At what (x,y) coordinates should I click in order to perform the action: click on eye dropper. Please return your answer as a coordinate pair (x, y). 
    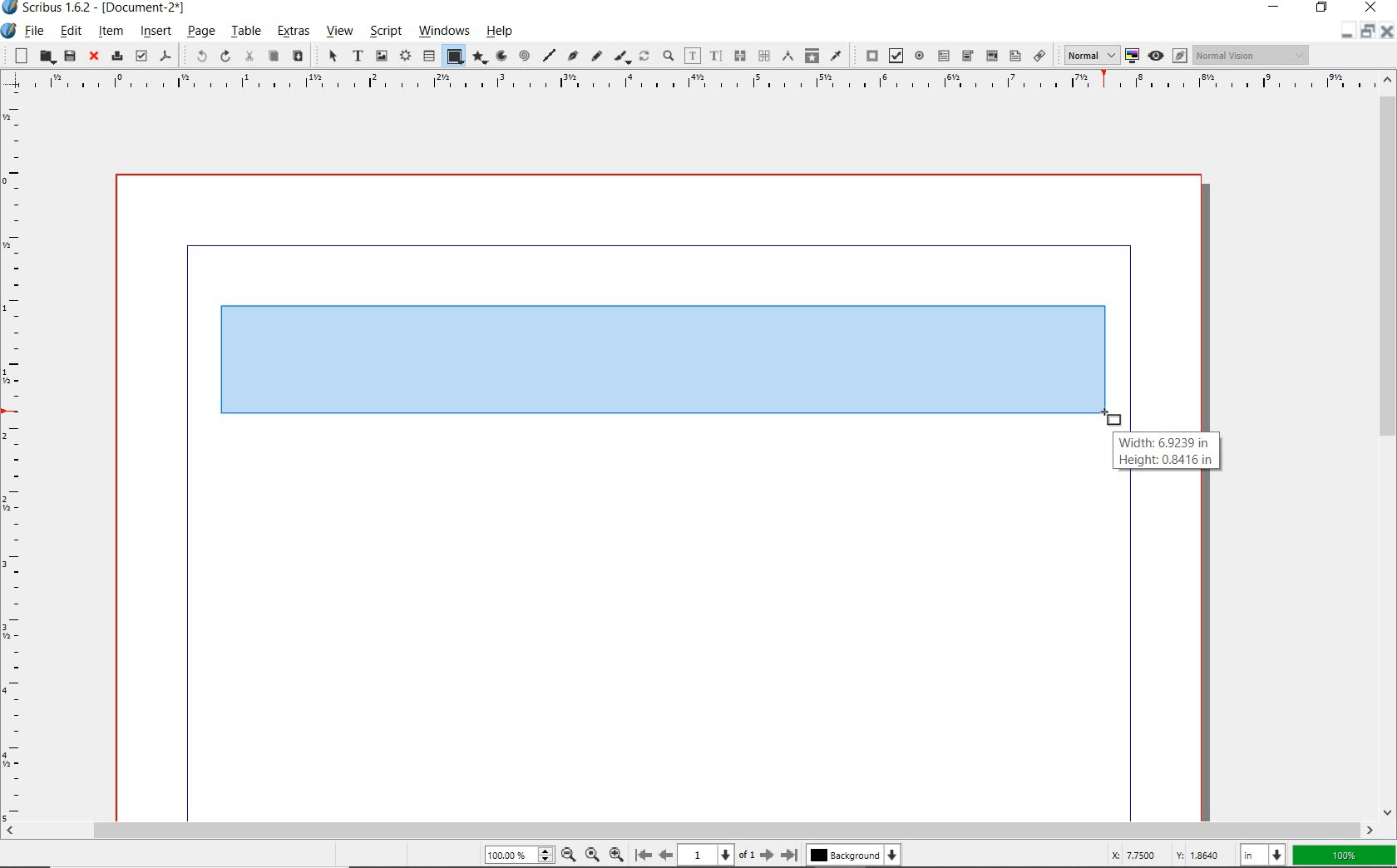
    Looking at the image, I should click on (836, 57).